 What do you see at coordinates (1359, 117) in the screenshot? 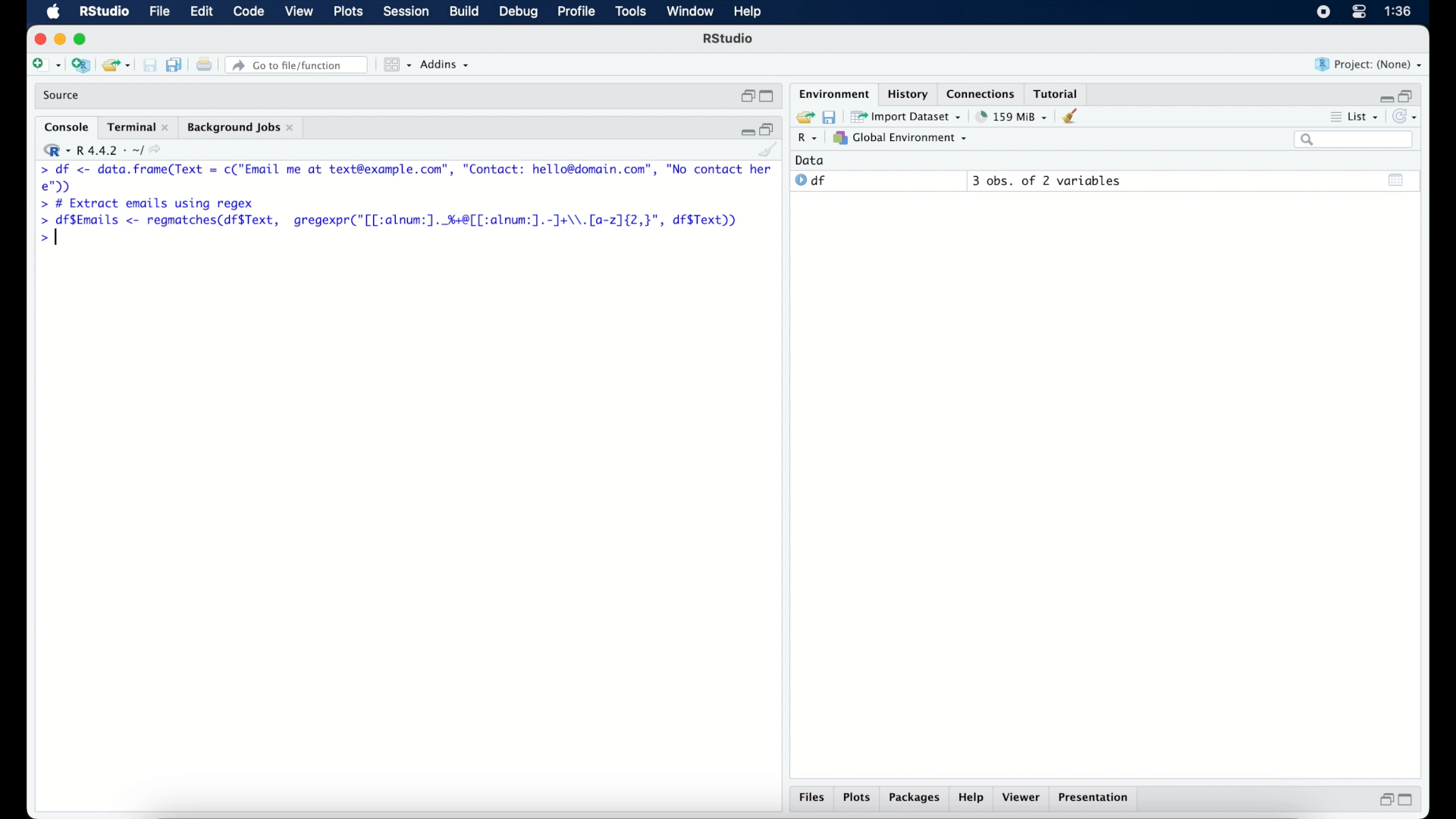
I see `list` at bounding box center [1359, 117].